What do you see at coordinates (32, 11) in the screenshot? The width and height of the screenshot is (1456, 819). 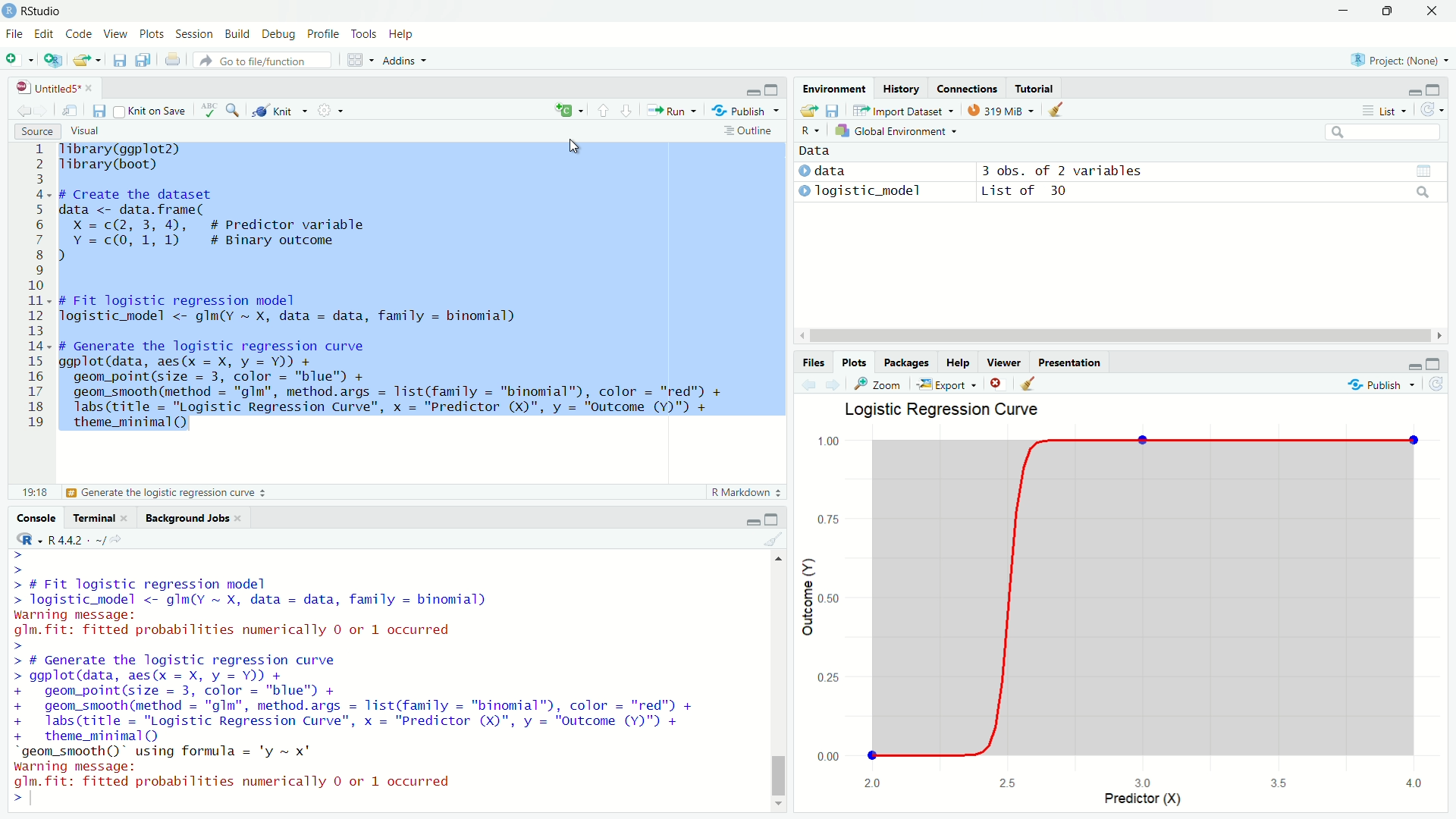 I see `RStudio` at bounding box center [32, 11].